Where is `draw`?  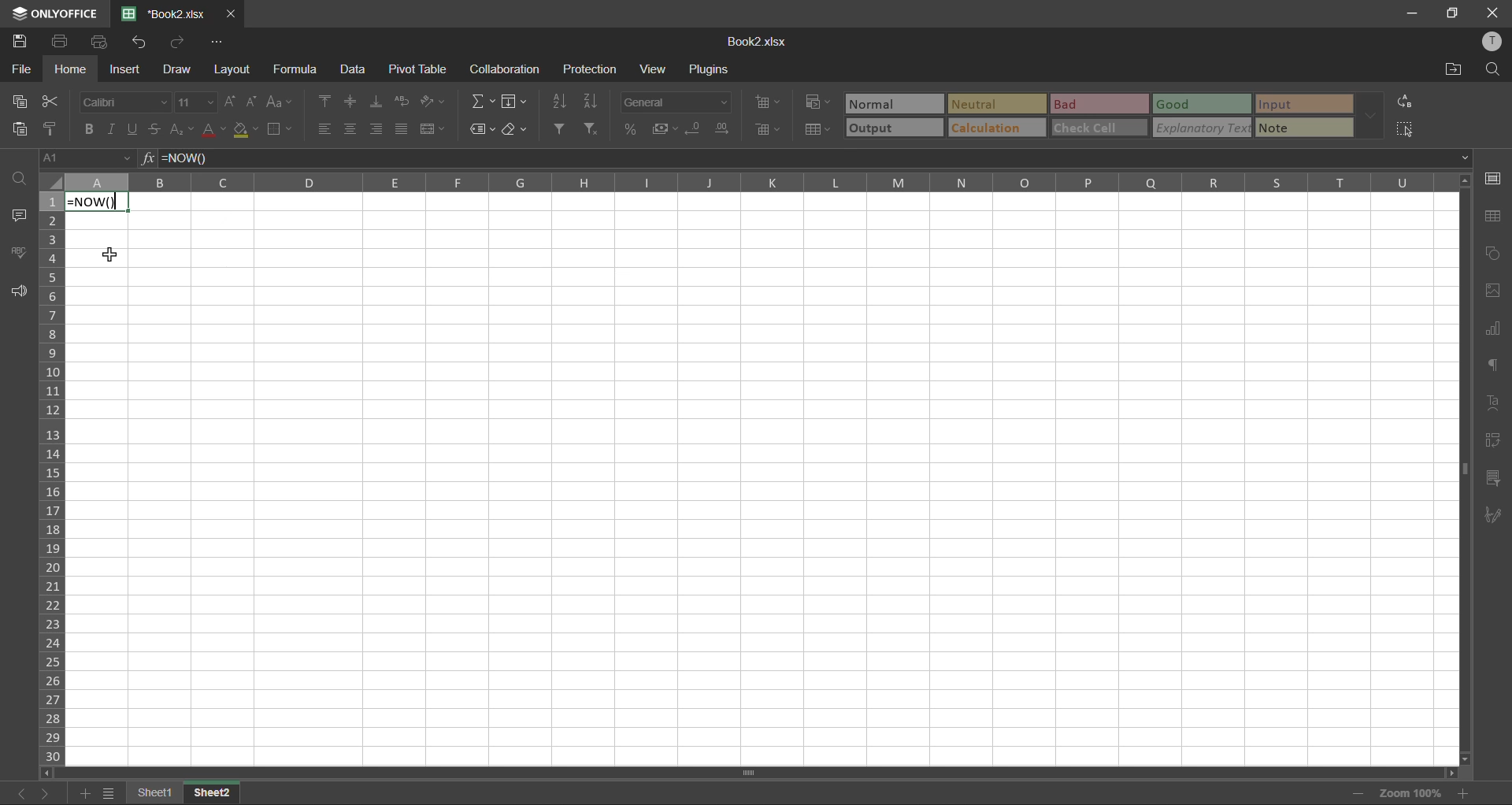
draw is located at coordinates (176, 72).